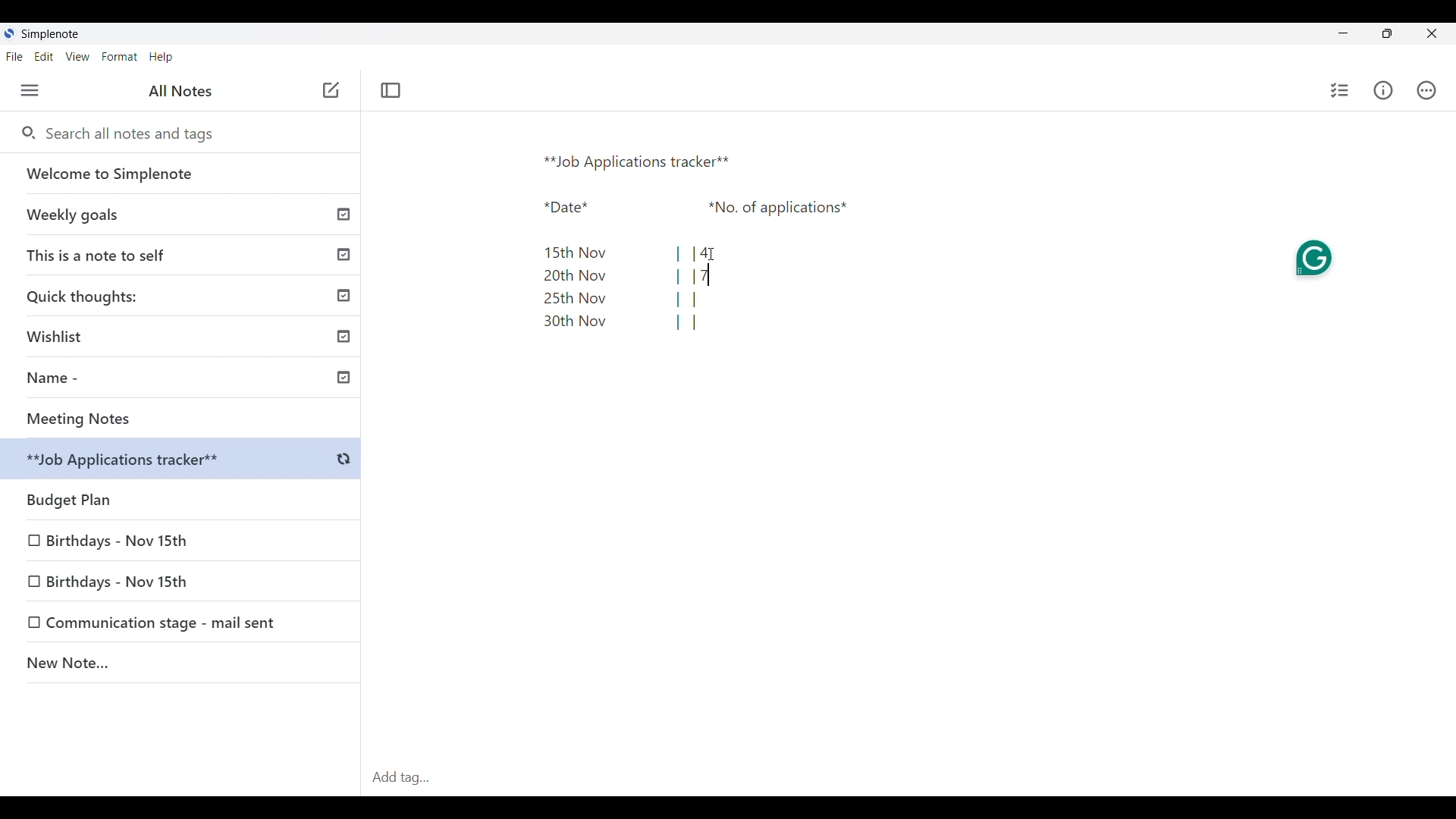 Image resolution: width=1456 pixels, height=819 pixels. What do you see at coordinates (30, 90) in the screenshot?
I see `Menu` at bounding box center [30, 90].